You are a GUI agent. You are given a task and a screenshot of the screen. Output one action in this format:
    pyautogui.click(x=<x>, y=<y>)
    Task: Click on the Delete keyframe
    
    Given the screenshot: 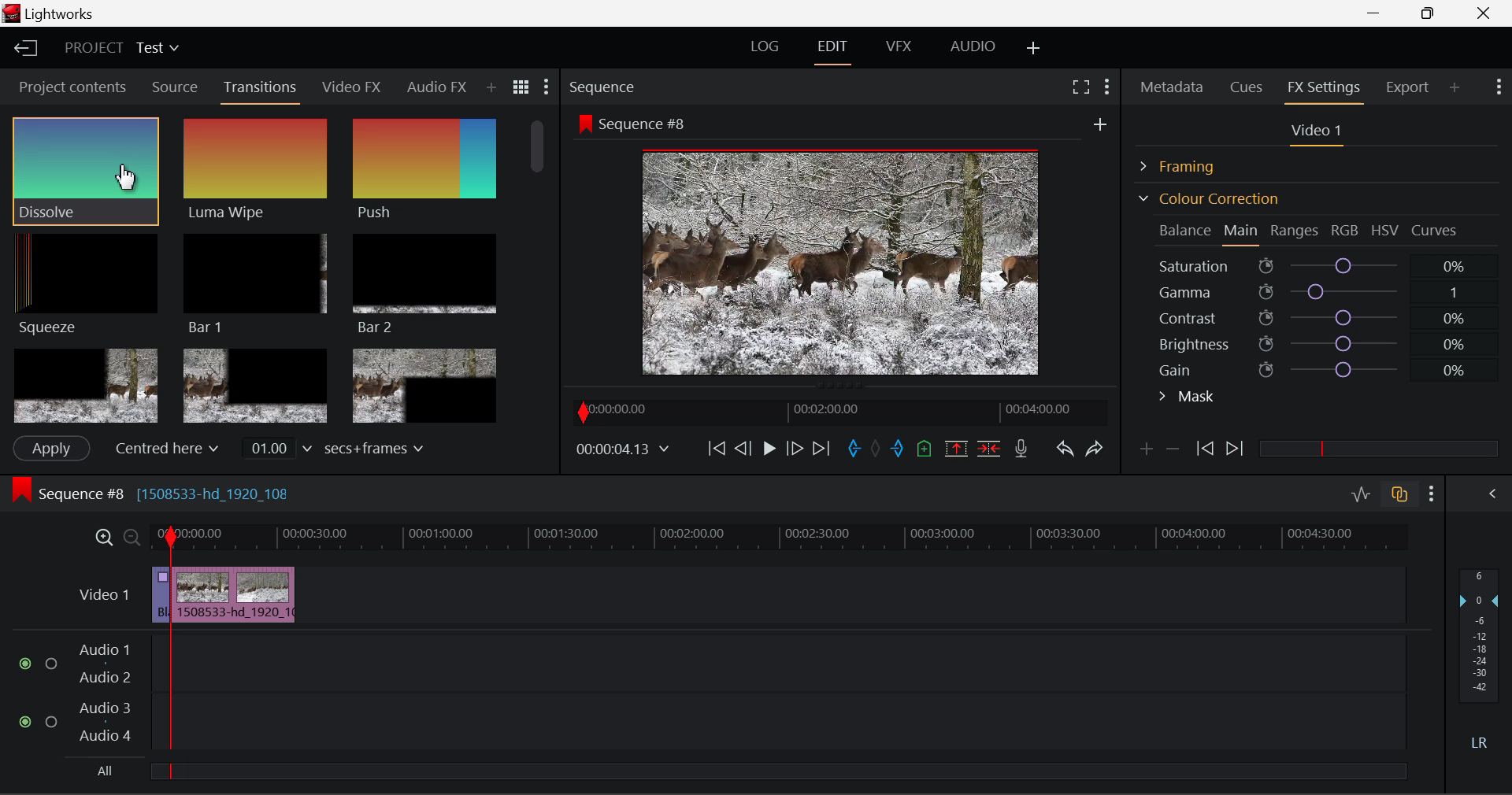 What is the action you would take?
    pyautogui.click(x=1173, y=452)
    